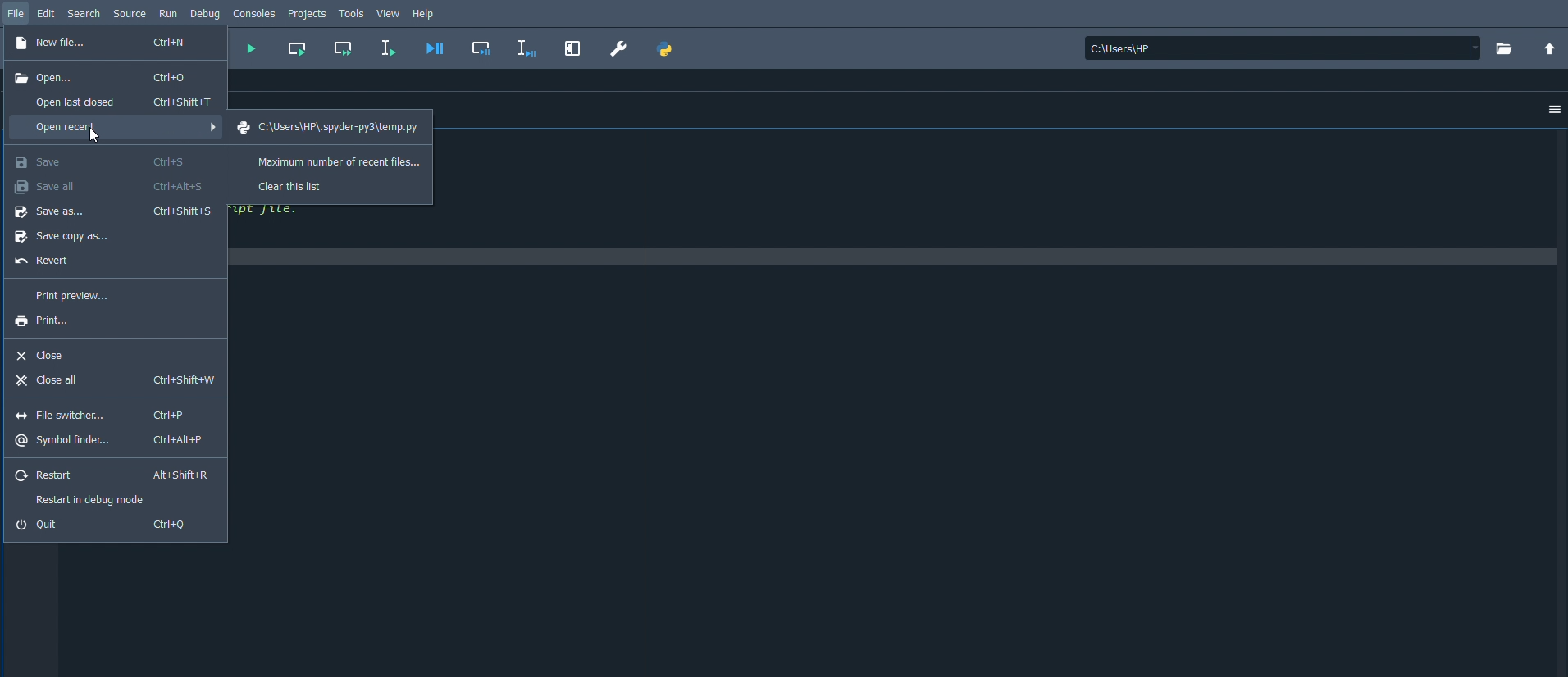 This screenshot has width=1568, height=677. What do you see at coordinates (390, 12) in the screenshot?
I see `View` at bounding box center [390, 12].